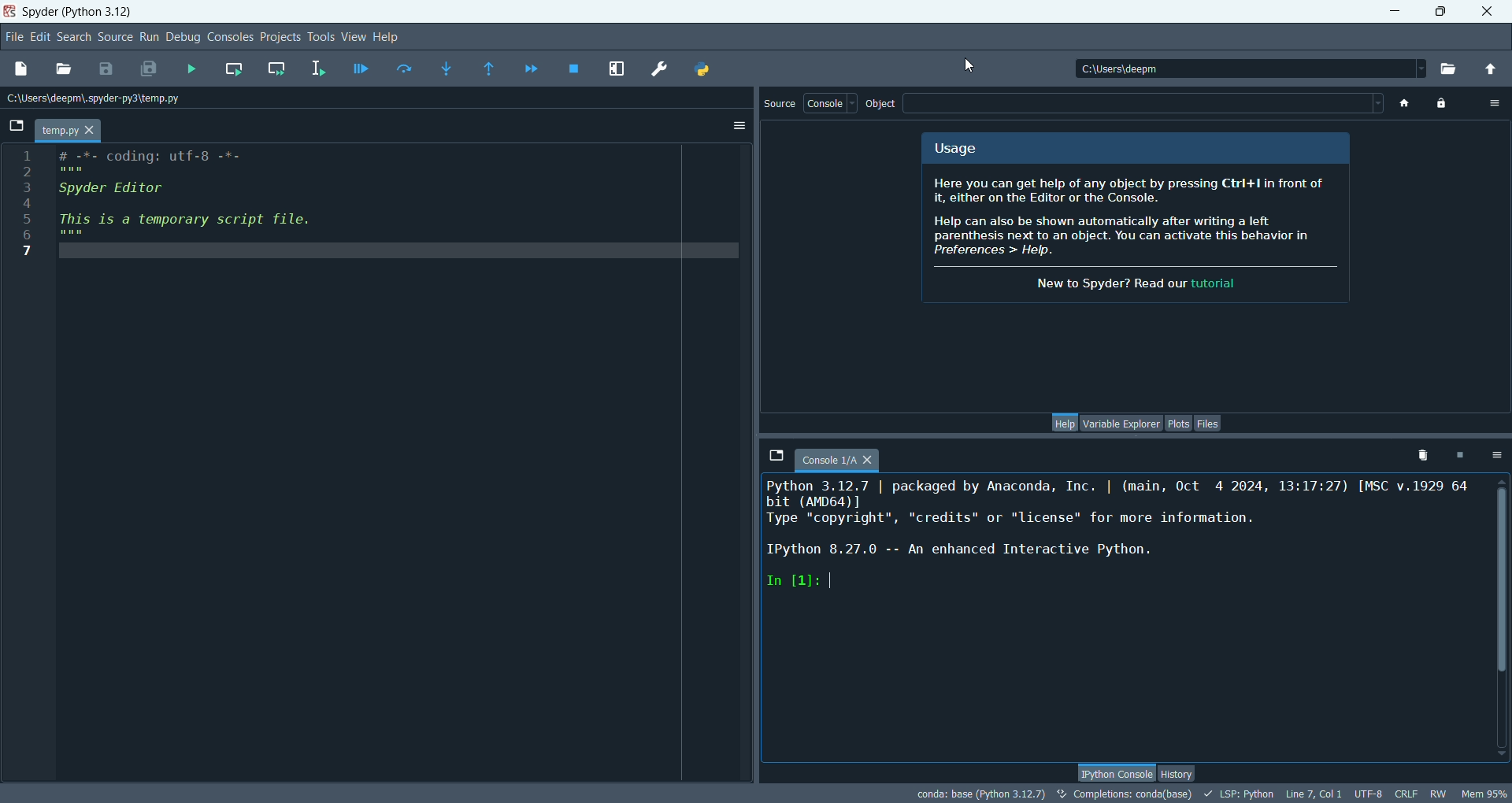 This screenshot has width=1512, height=803. Describe the element at coordinates (1452, 68) in the screenshot. I see `browse working directory` at that location.